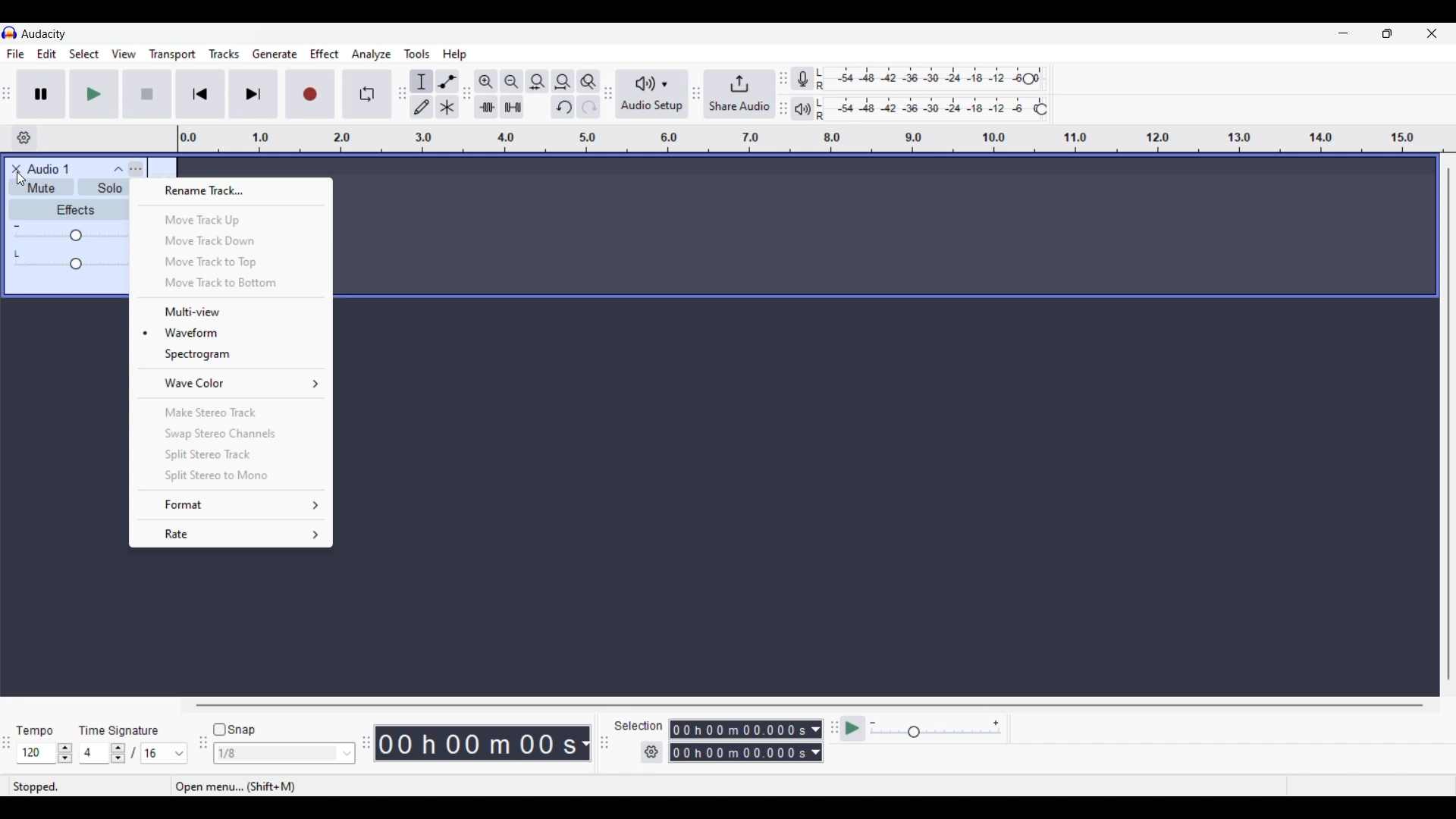 This screenshot has width=1456, height=819. Describe the element at coordinates (936, 108) in the screenshot. I see `Playback level` at that location.